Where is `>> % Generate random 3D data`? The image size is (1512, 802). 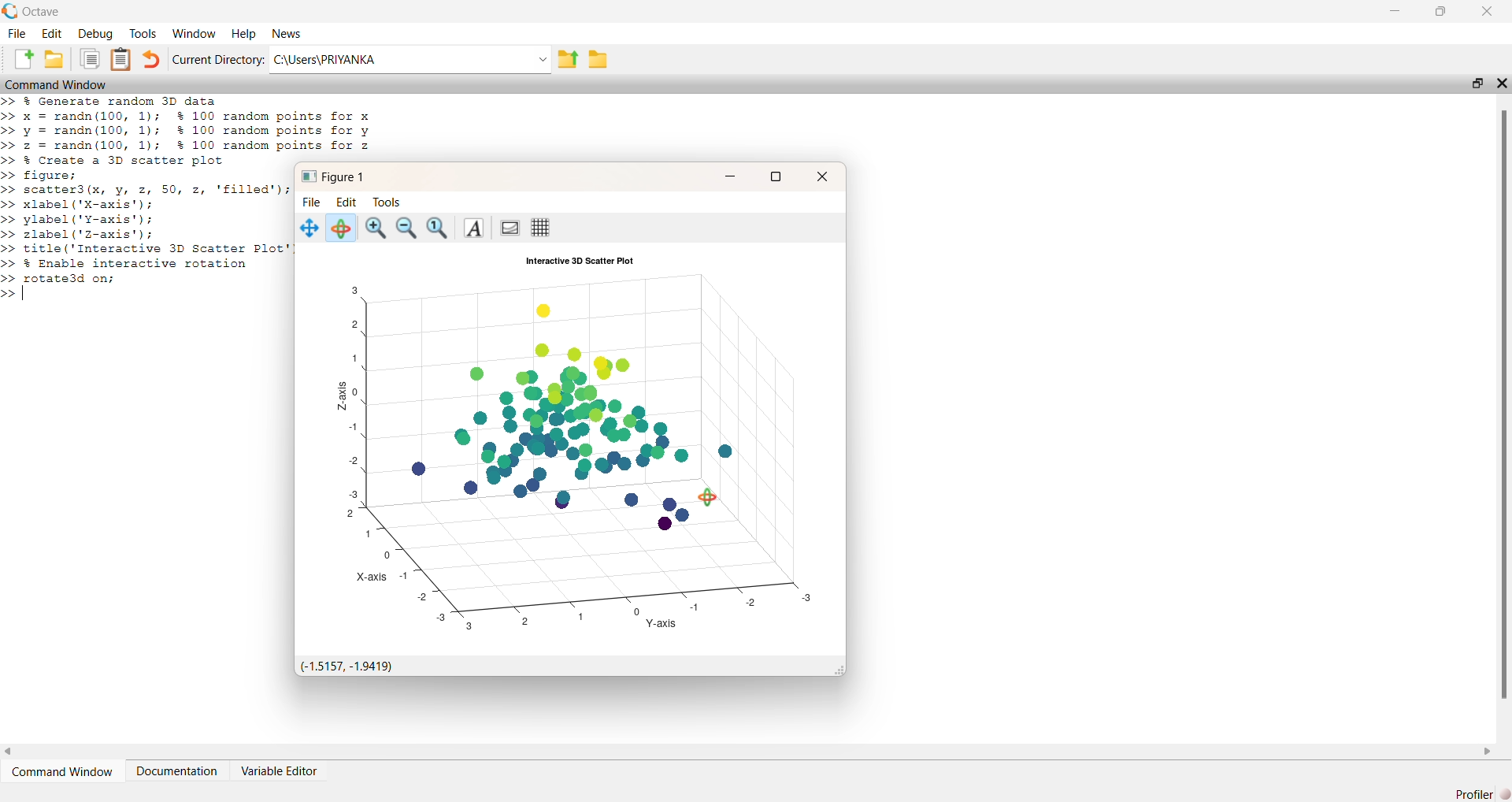 >> % Generate random 3D data is located at coordinates (112, 101).